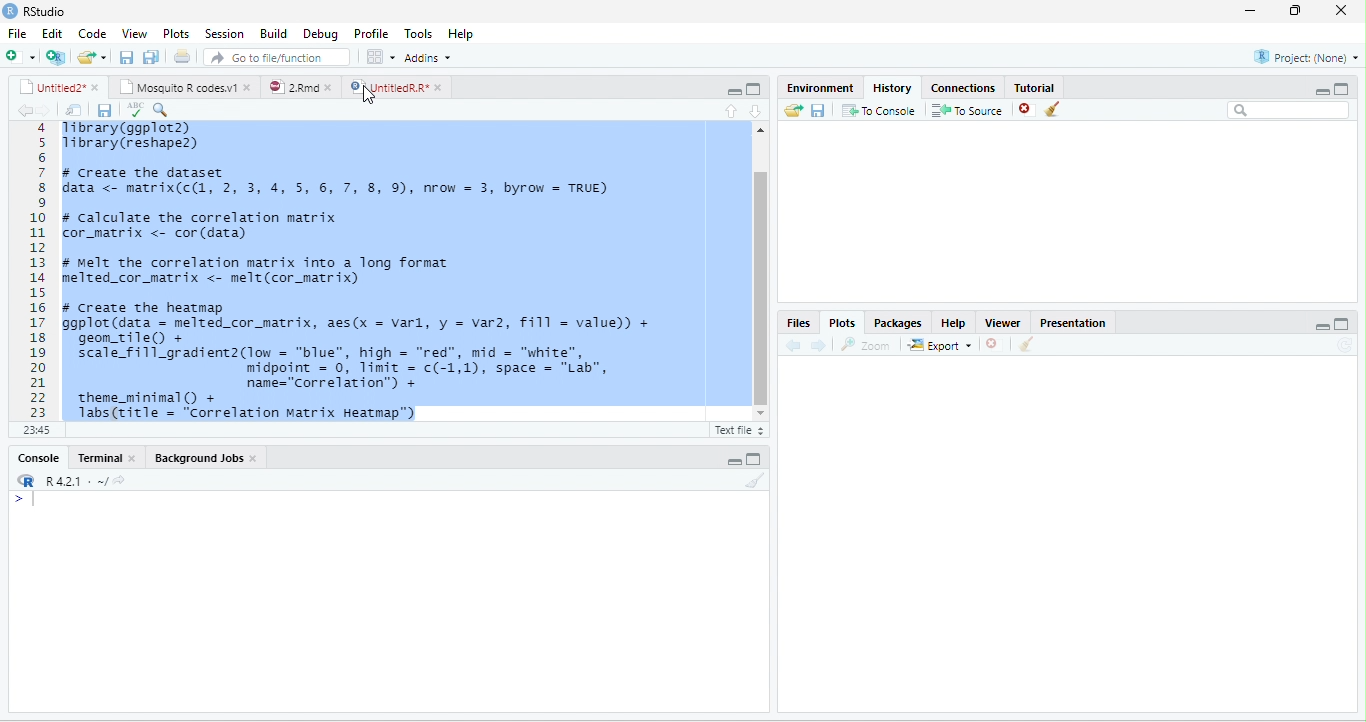 This screenshot has height=722, width=1366. What do you see at coordinates (1295, 58) in the screenshot?
I see `project none` at bounding box center [1295, 58].